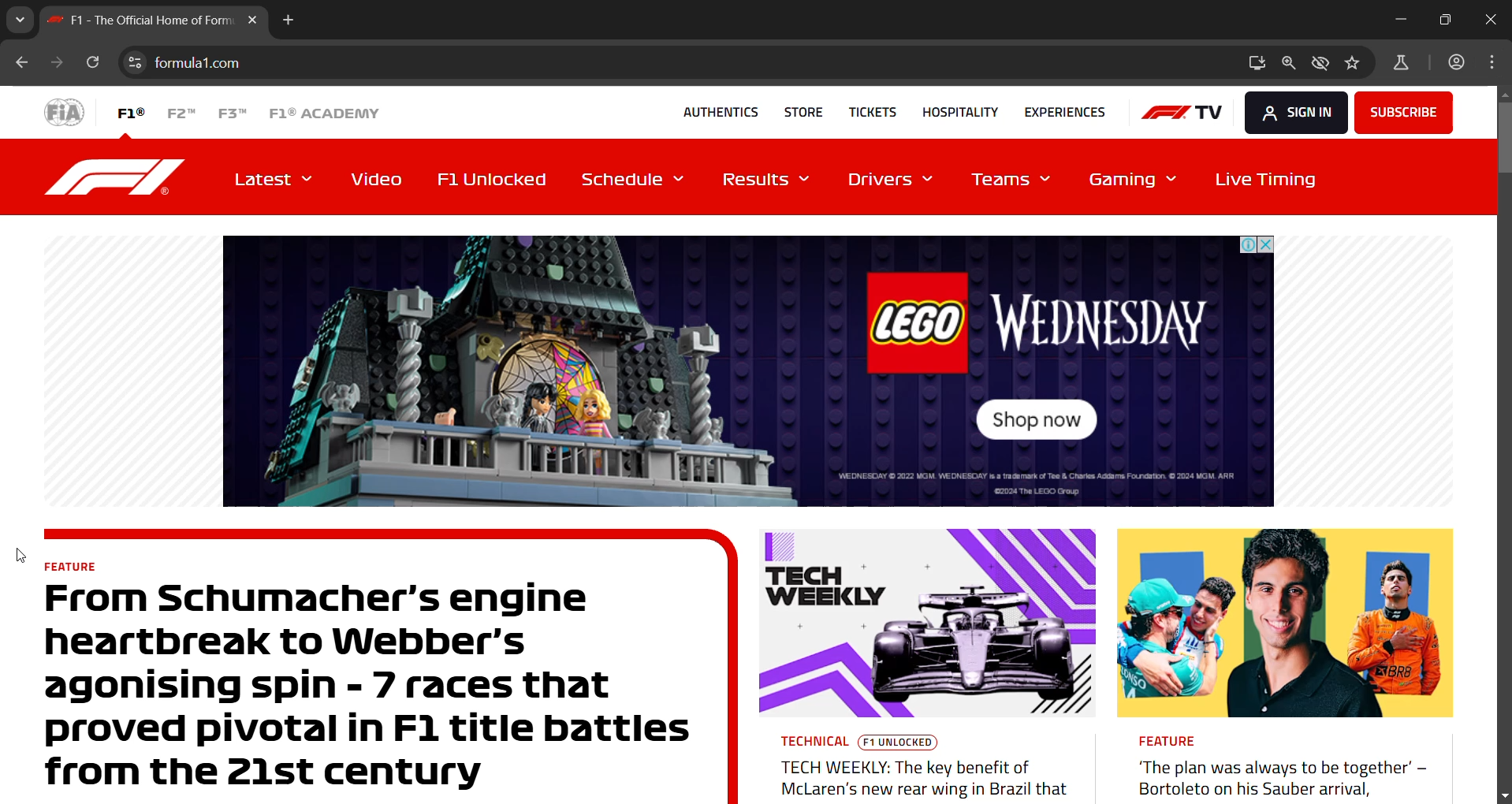 Image resolution: width=1512 pixels, height=804 pixels. I want to click on News: feature- plan was always to be together’ —Bortoleto on his Sauber arrival,, so click(1285, 664).